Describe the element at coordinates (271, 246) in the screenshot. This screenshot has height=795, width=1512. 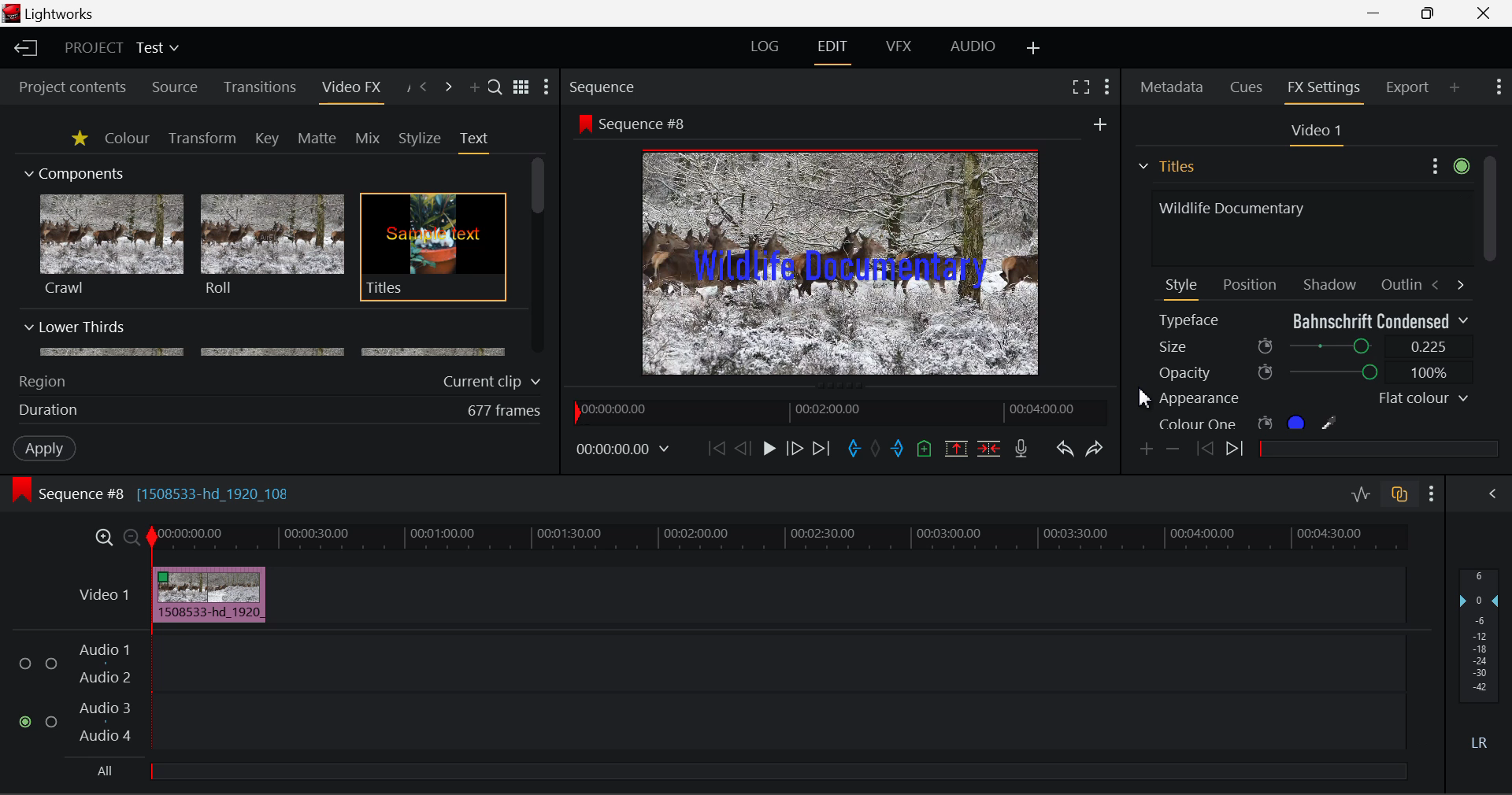
I see `Roll` at that location.